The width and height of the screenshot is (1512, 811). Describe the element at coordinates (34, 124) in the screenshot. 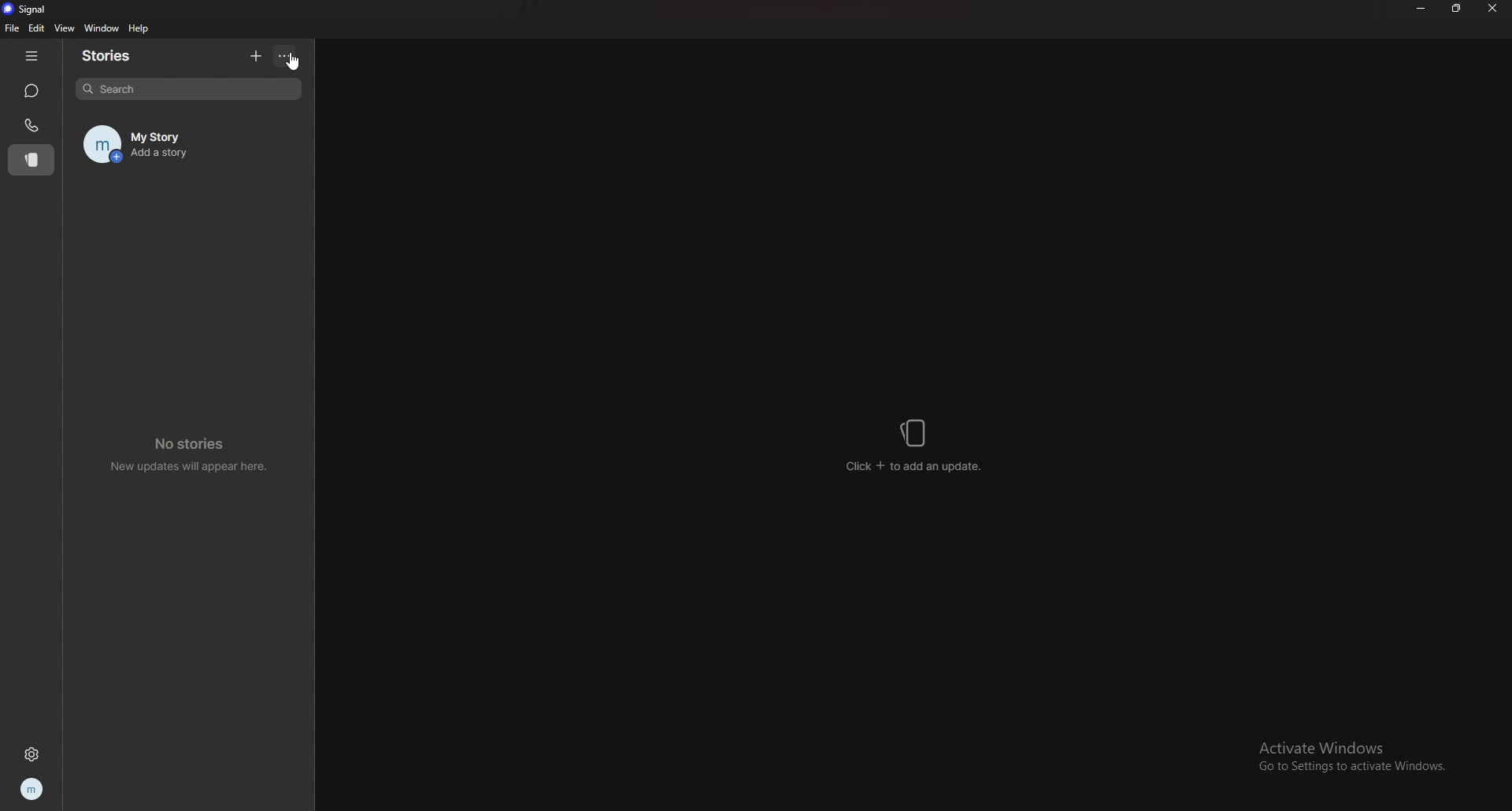

I see `calls` at that location.